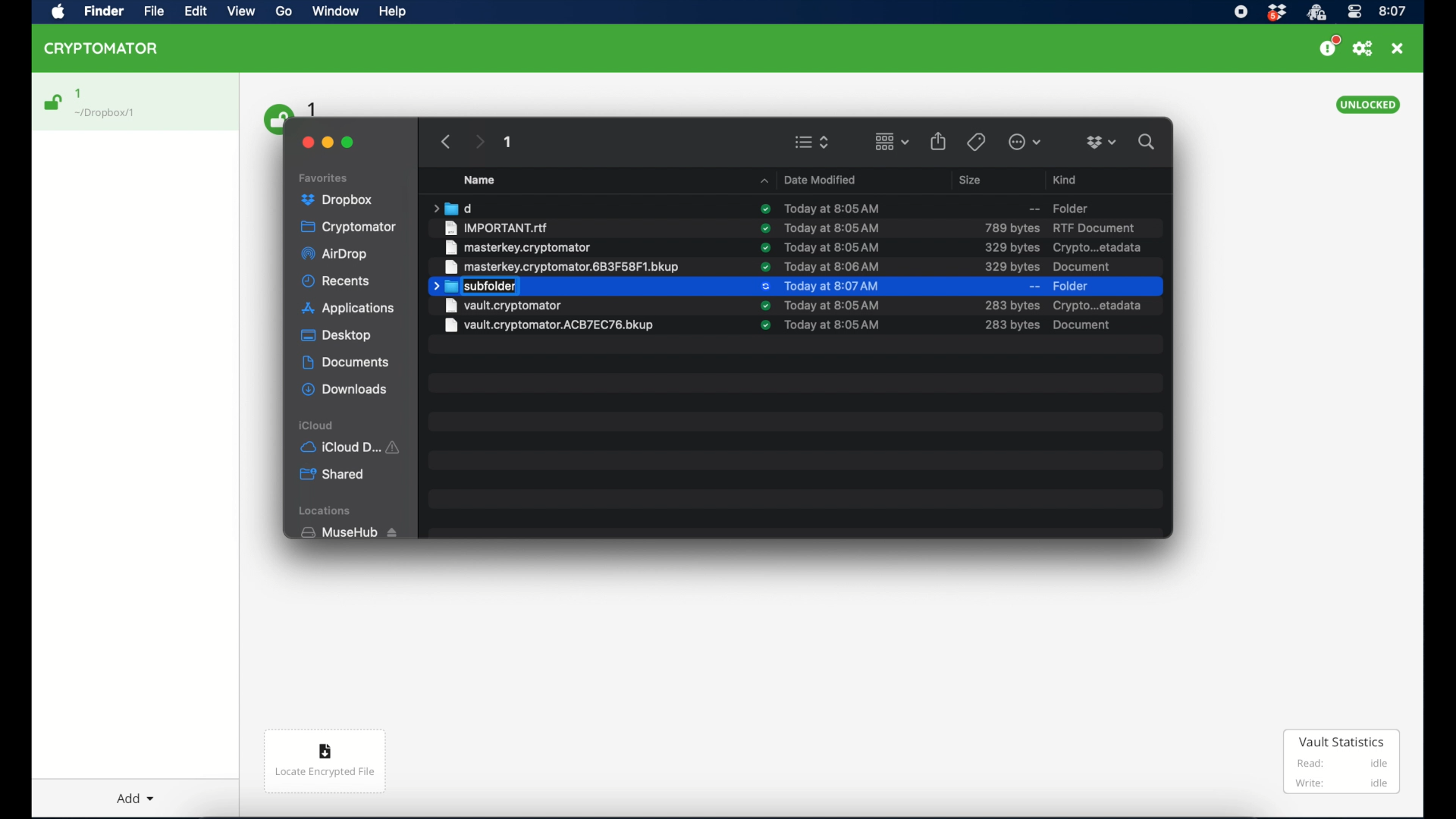  Describe the element at coordinates (518, 247) in the screenshot. I see `file name` at that location.